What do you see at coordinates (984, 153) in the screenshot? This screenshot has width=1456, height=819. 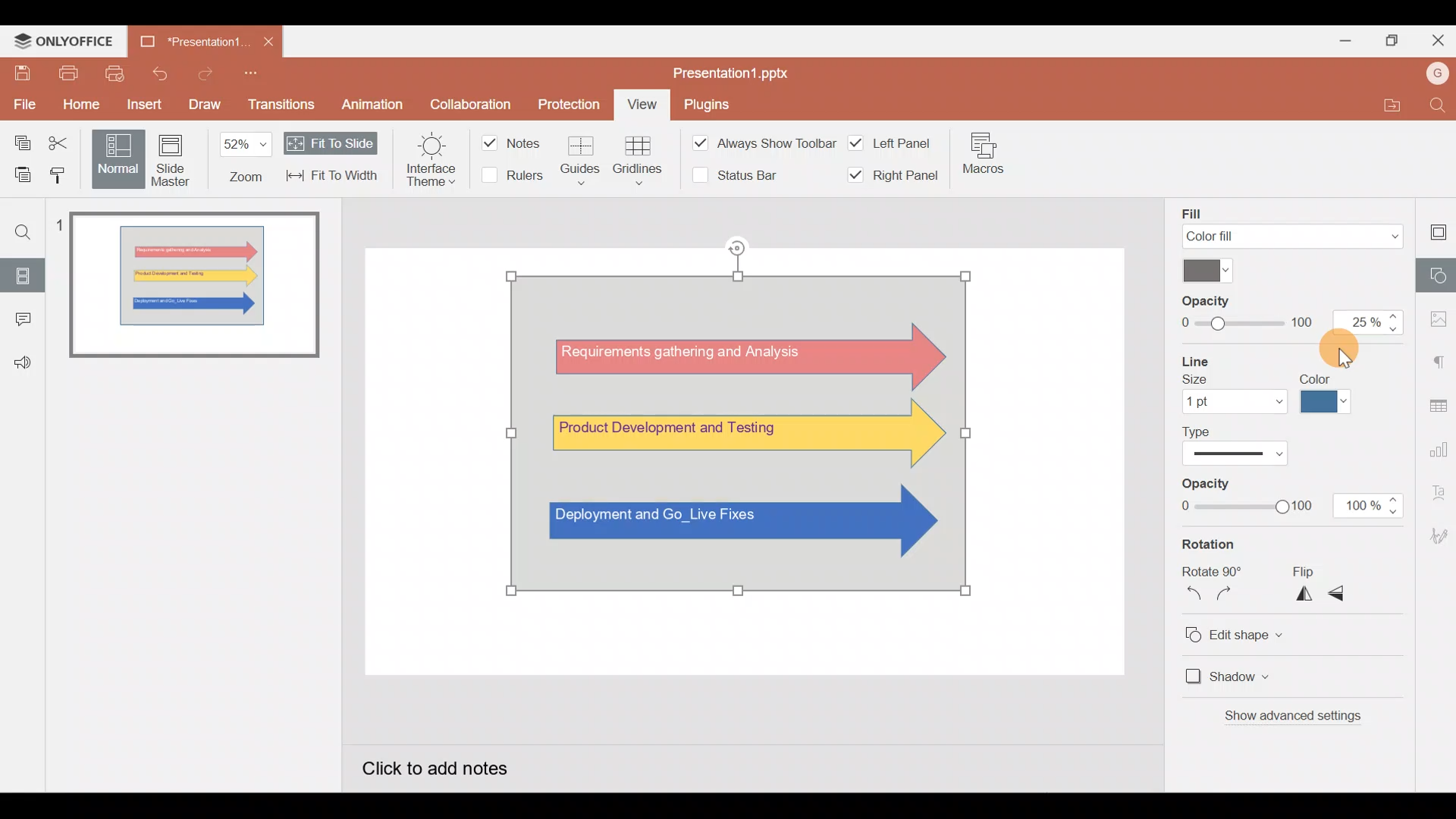 I see `Macros` at bounding box center [984, 153].